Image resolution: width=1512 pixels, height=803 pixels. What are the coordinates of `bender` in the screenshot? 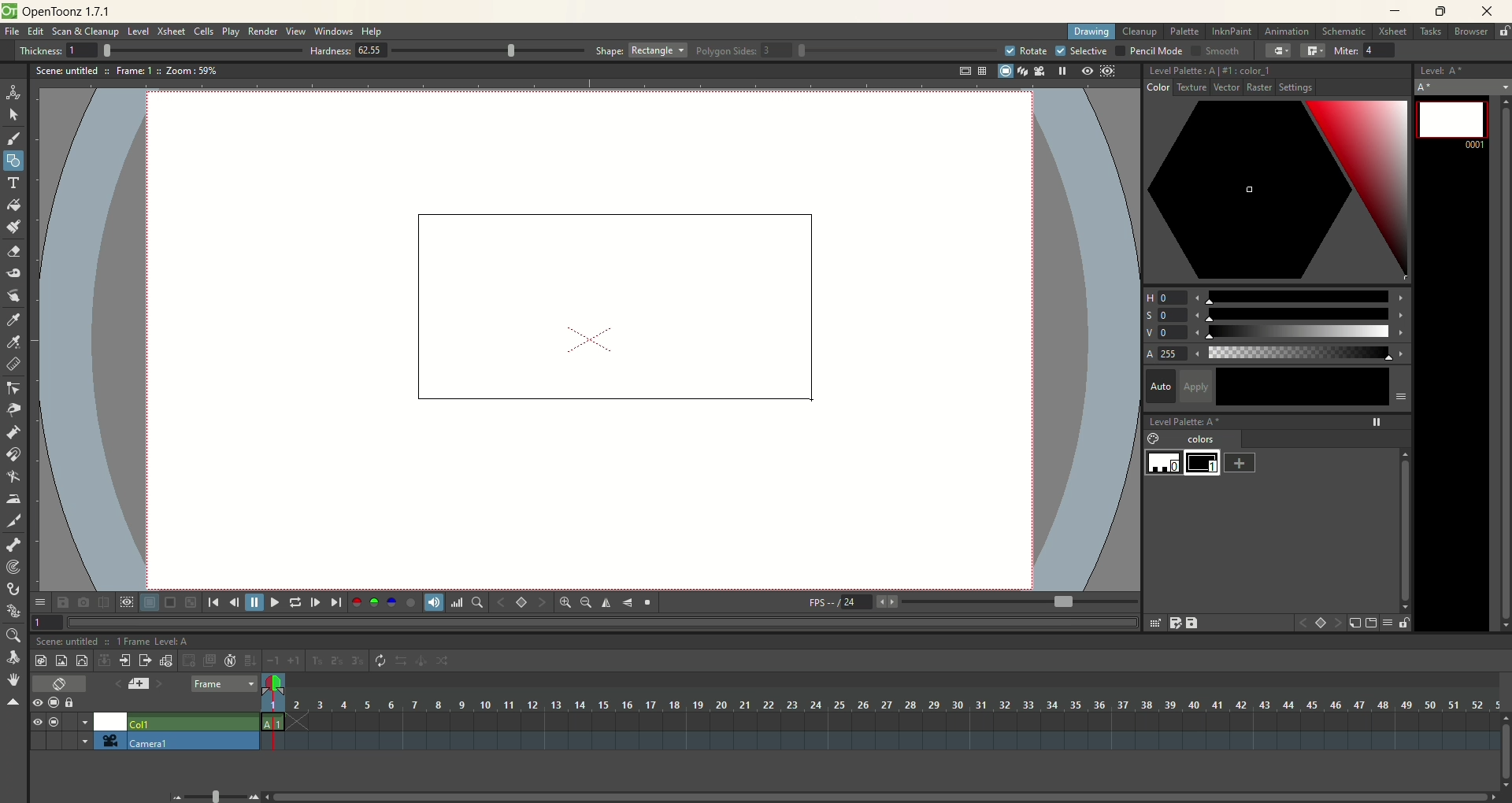 It's located at (13, 479).